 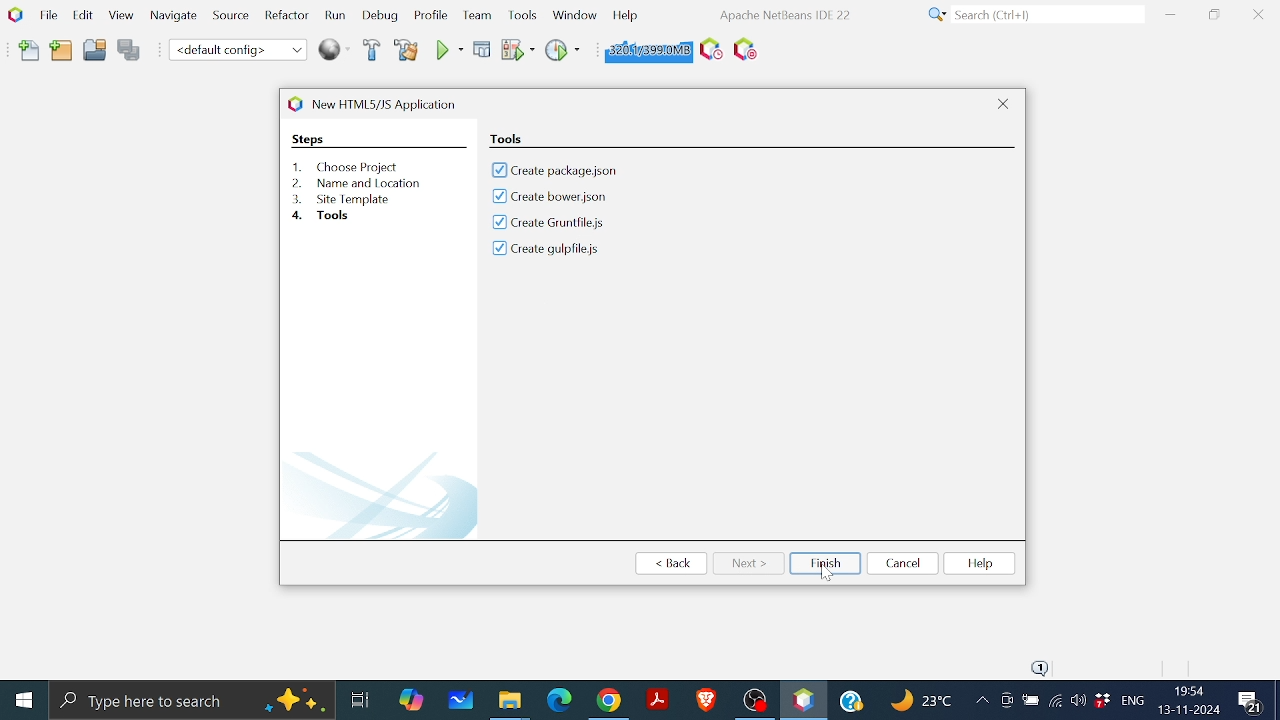 I want to click on White board, so click(x=463, y=699).